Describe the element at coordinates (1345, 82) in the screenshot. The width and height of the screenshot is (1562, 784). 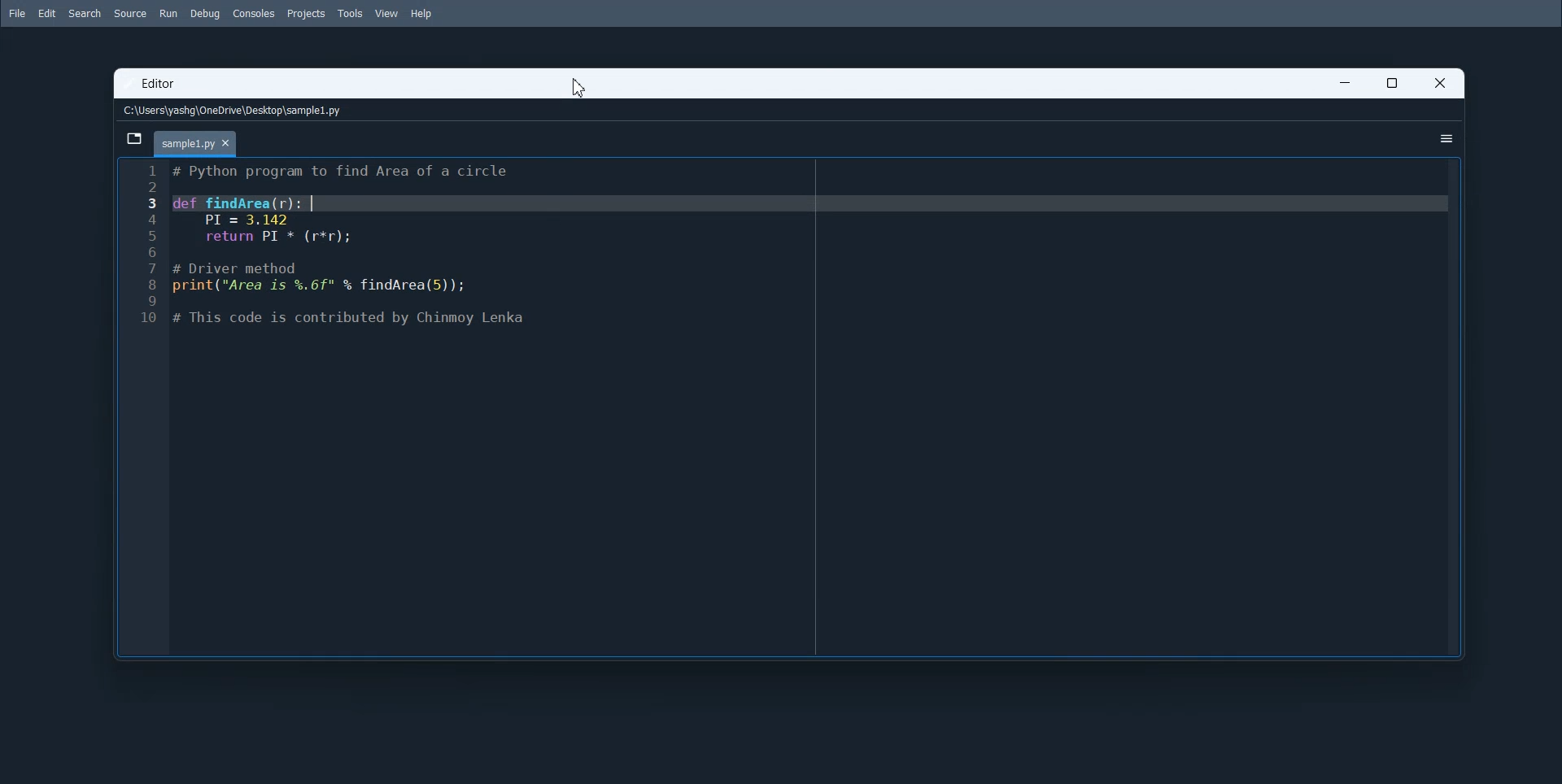
I see `Minimize` at that location.